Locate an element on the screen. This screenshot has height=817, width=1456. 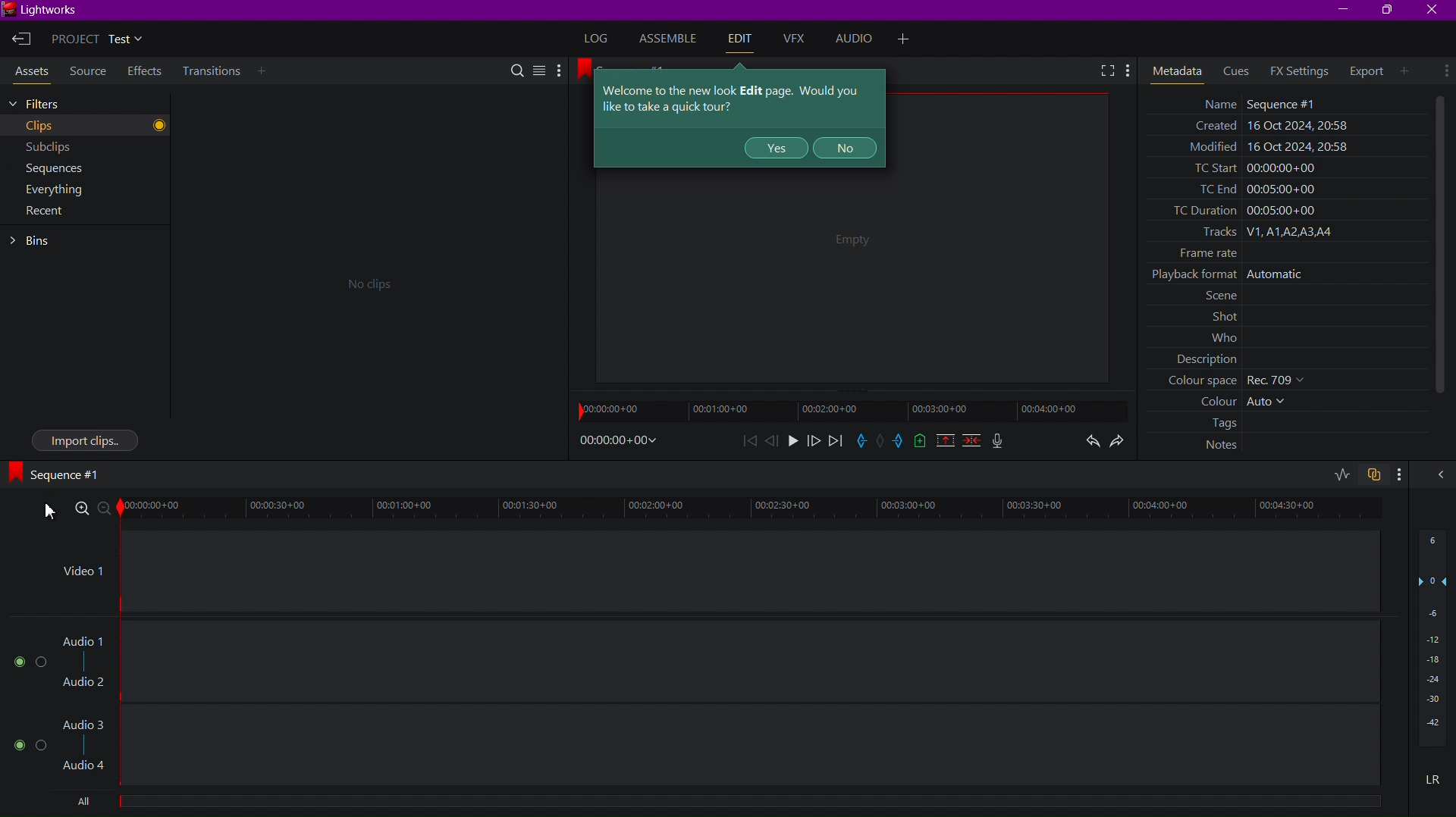
Audio 1 is located at coordinates (87, 640).